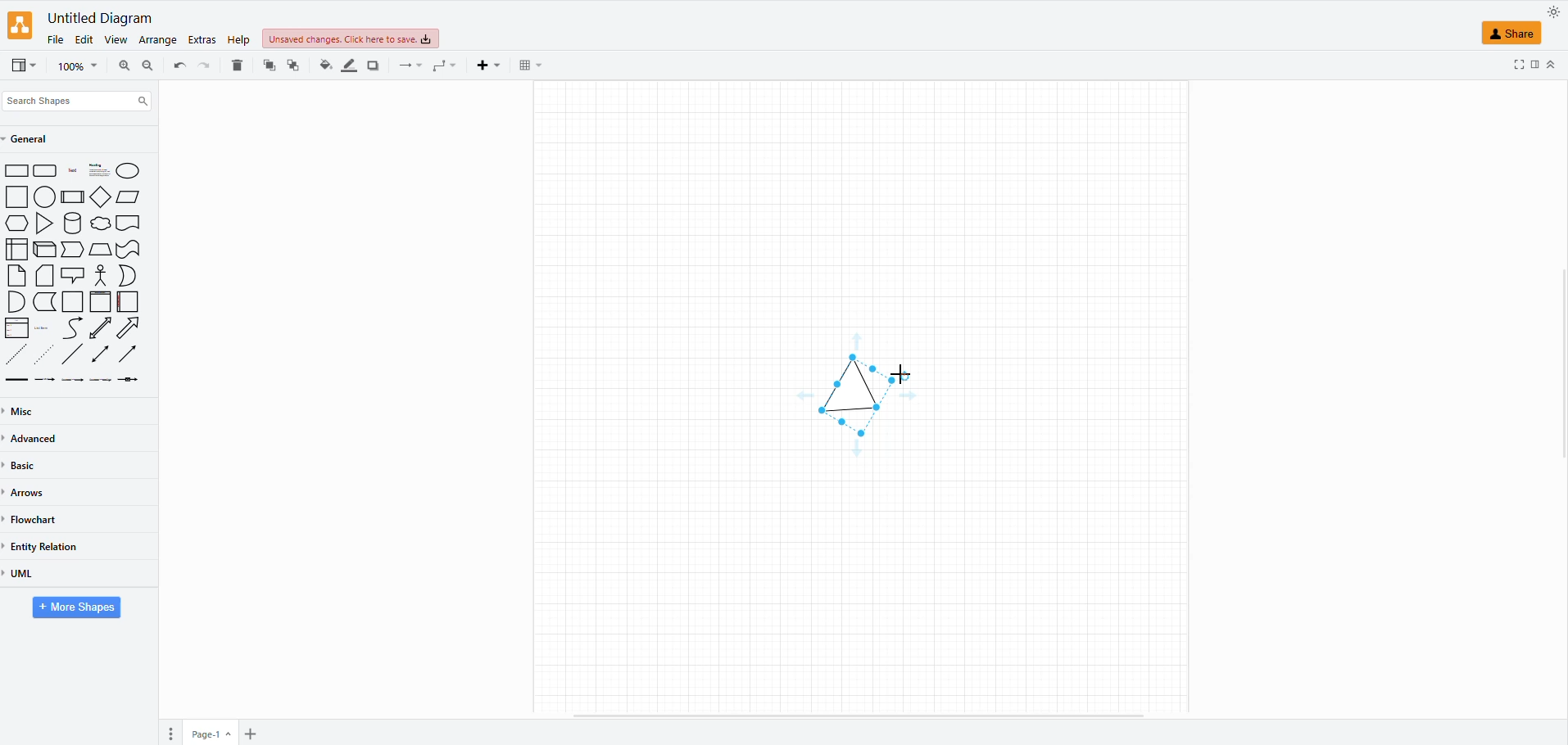  What do you see at coordinates (128, 276) in the screenshot?
I see `Moon` at bounding box center [128, 276].